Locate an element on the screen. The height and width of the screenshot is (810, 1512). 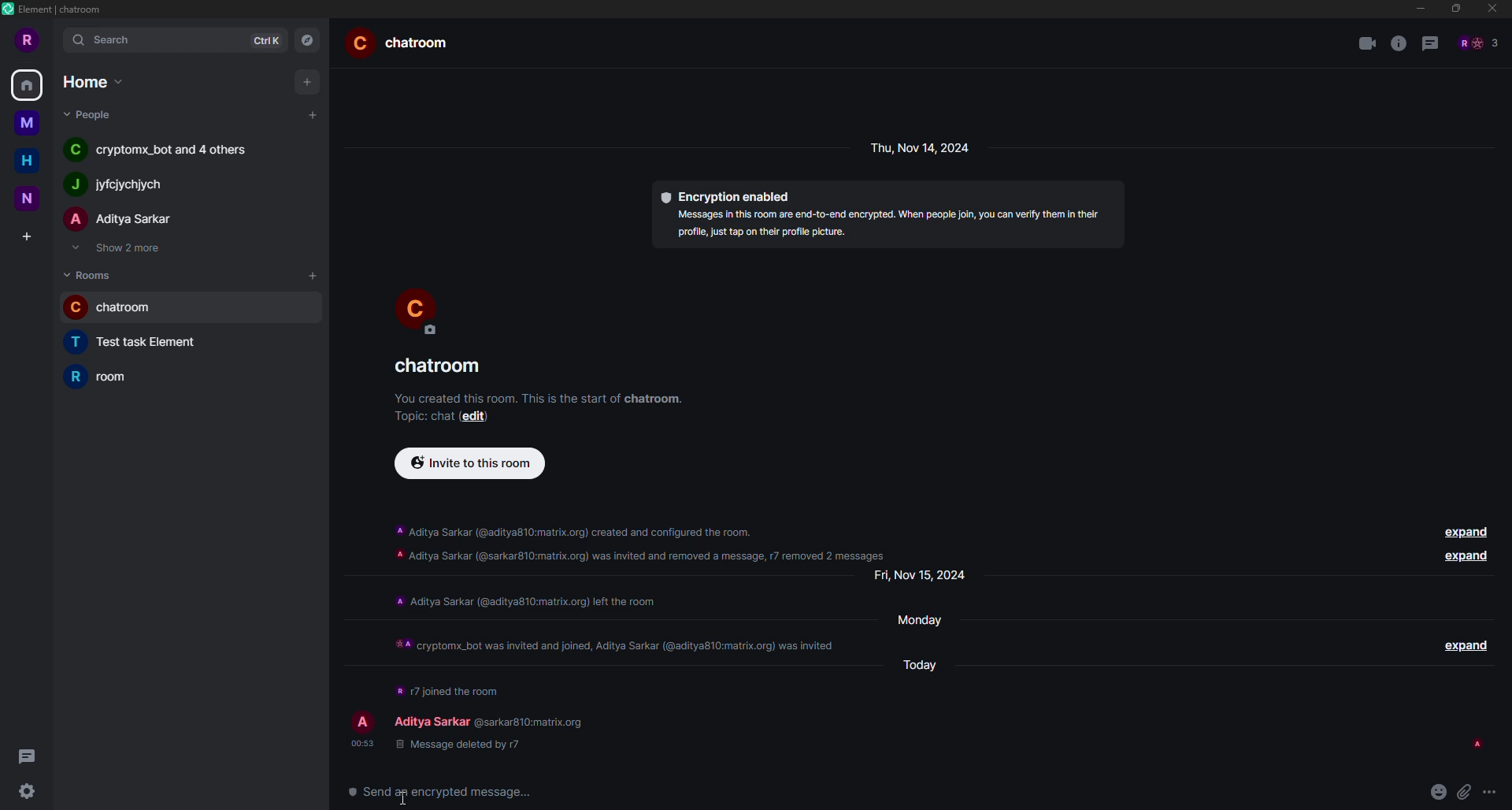
encryption enabled is located at coordinates (728, 195).